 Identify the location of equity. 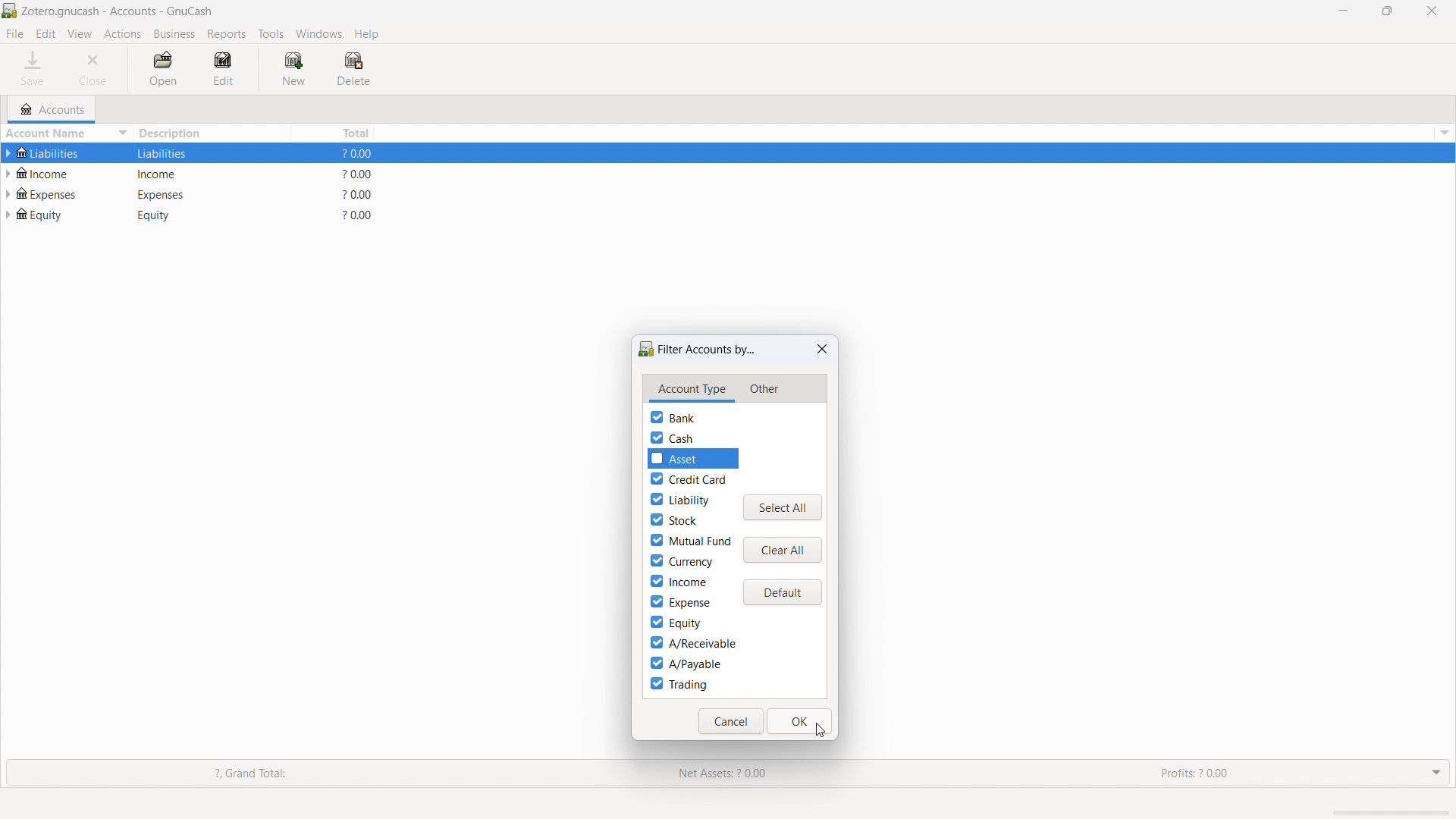
(52, 213).